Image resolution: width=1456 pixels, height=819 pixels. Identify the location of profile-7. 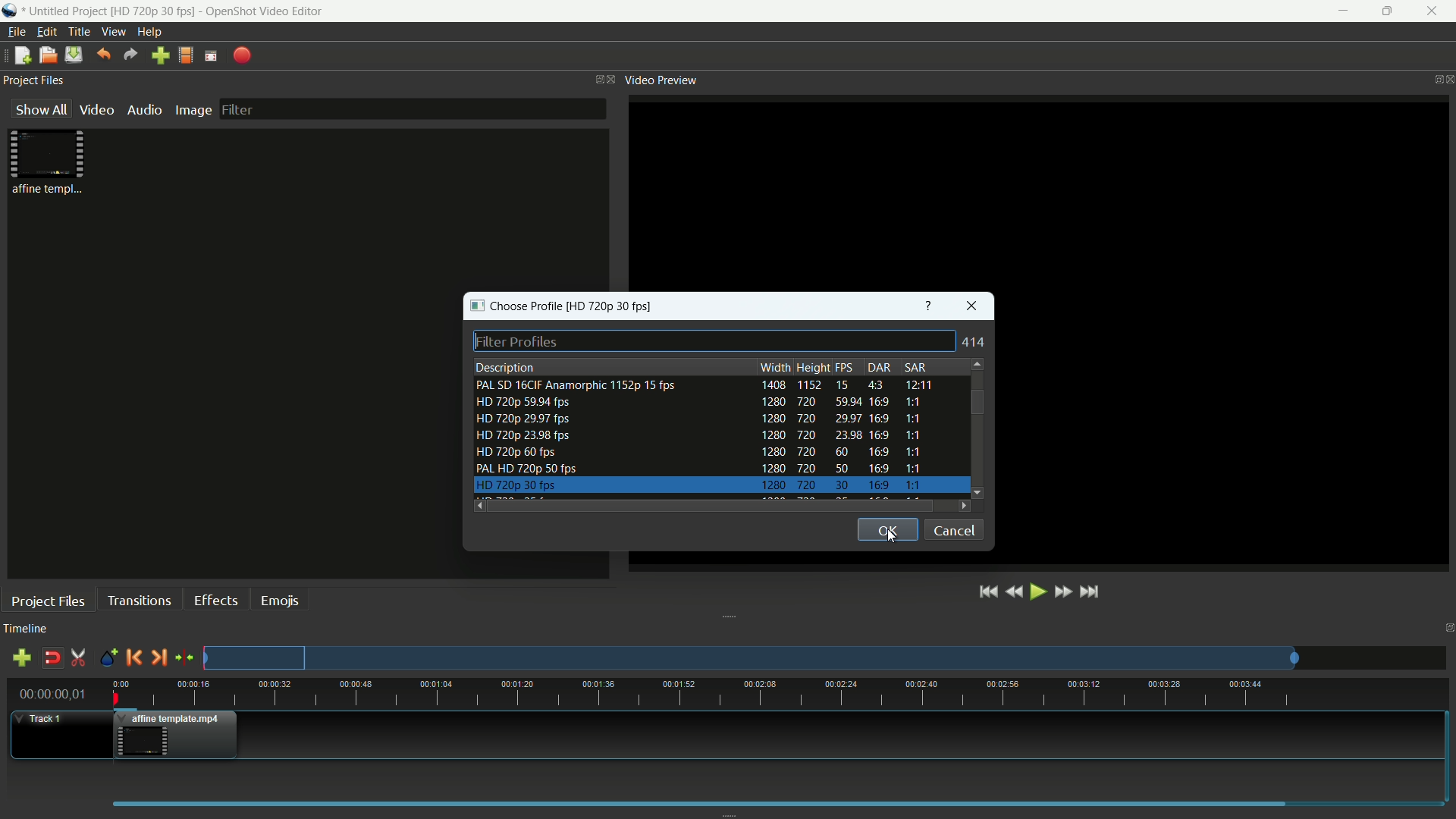
(701, 485).